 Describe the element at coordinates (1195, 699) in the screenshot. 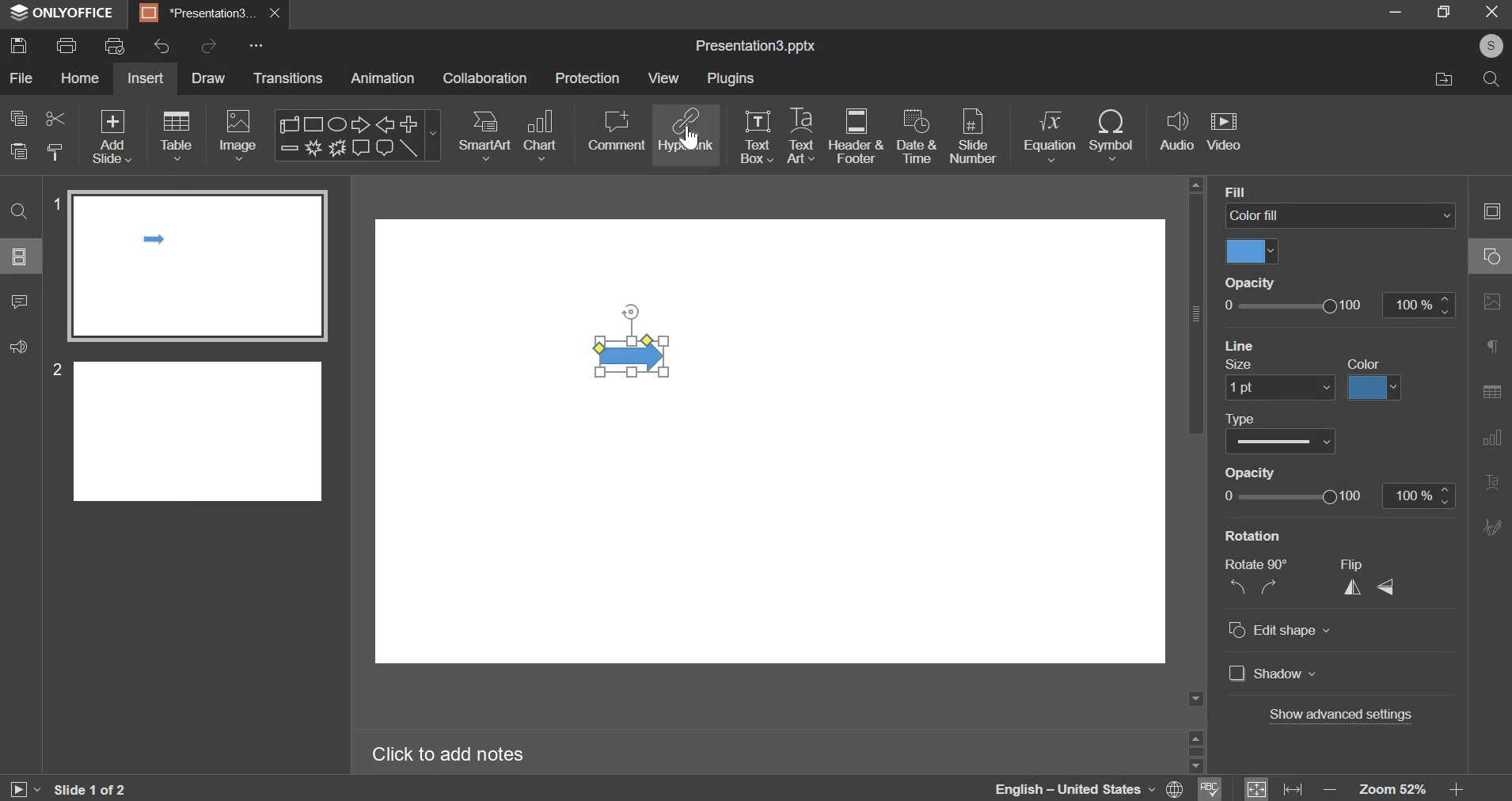

I see `Scroll down` at that location.